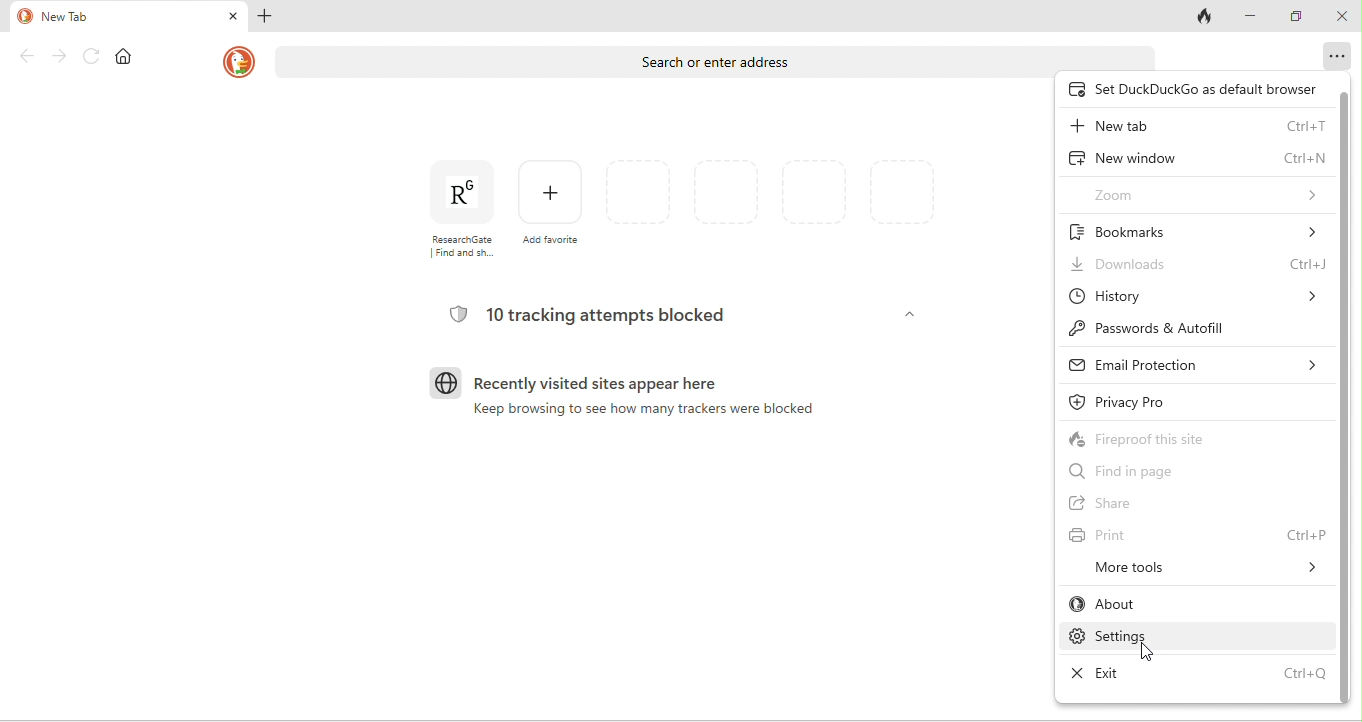 The image size is (1362, 722). Describe the element at coordinates (1198, 157) in the screenshot. I see `new window` at that location.